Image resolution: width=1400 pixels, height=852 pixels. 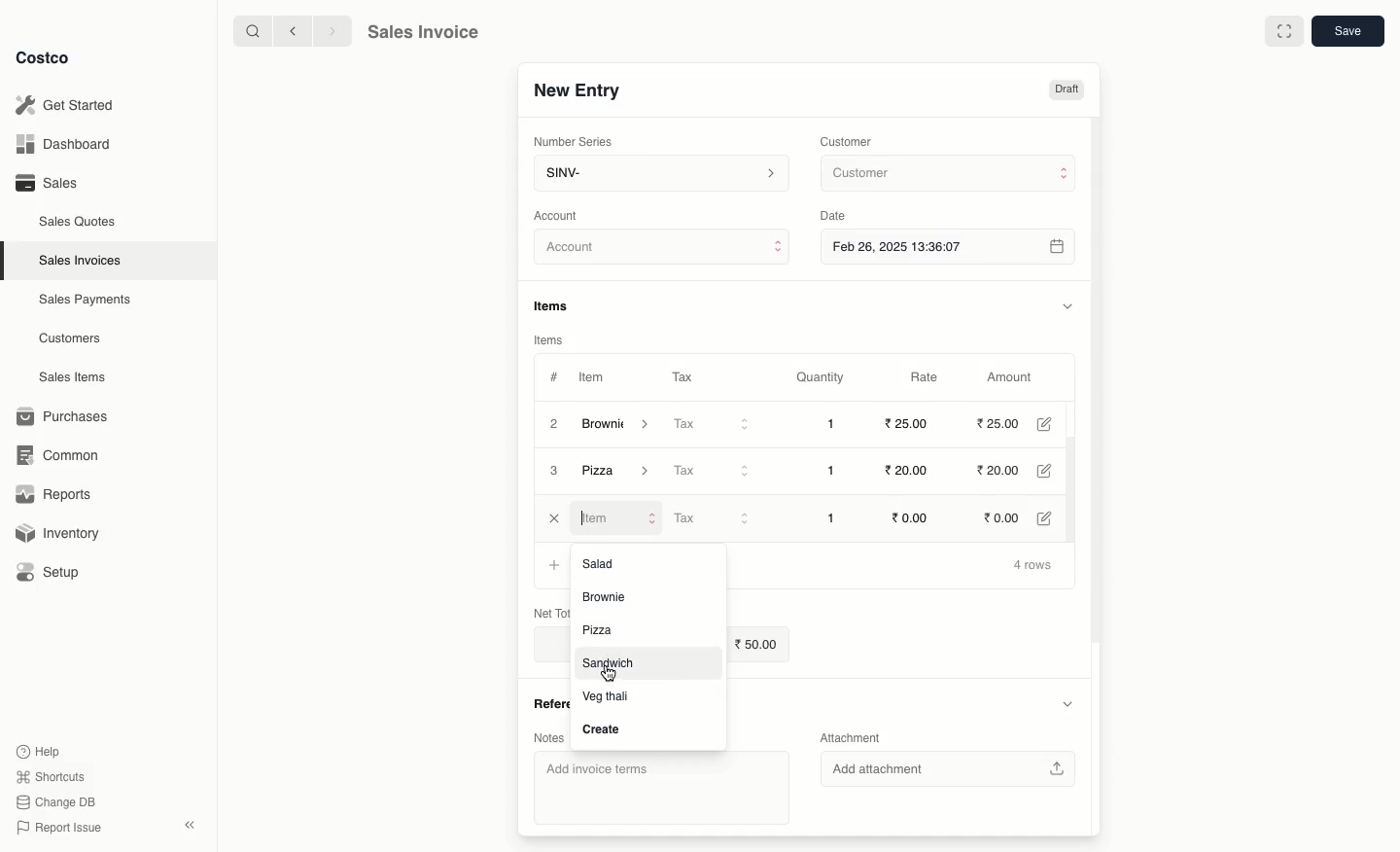 I want to click on Sales Invoices, so click(x=81, y=261).